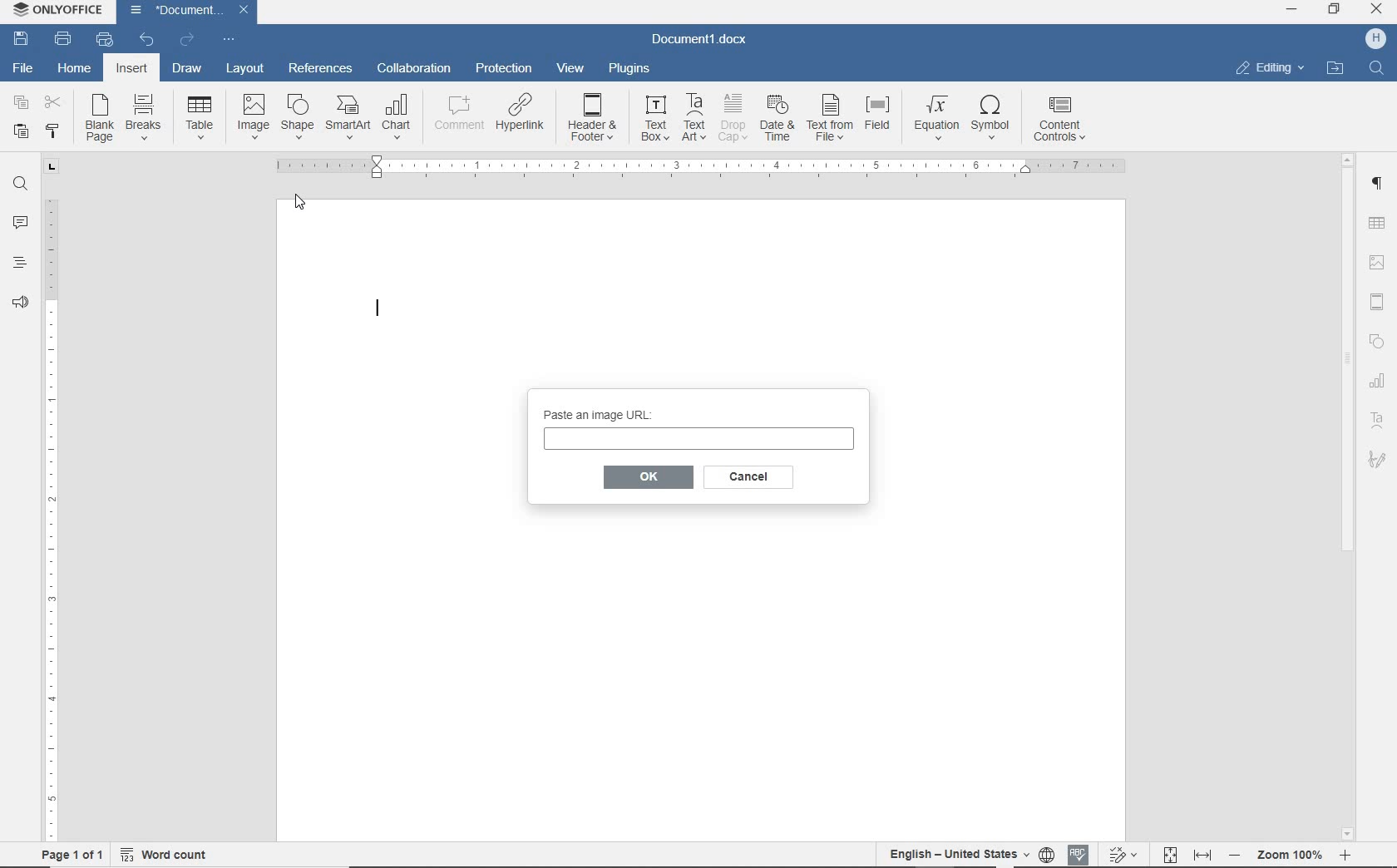  I want to click on chart, so click(398, 117).